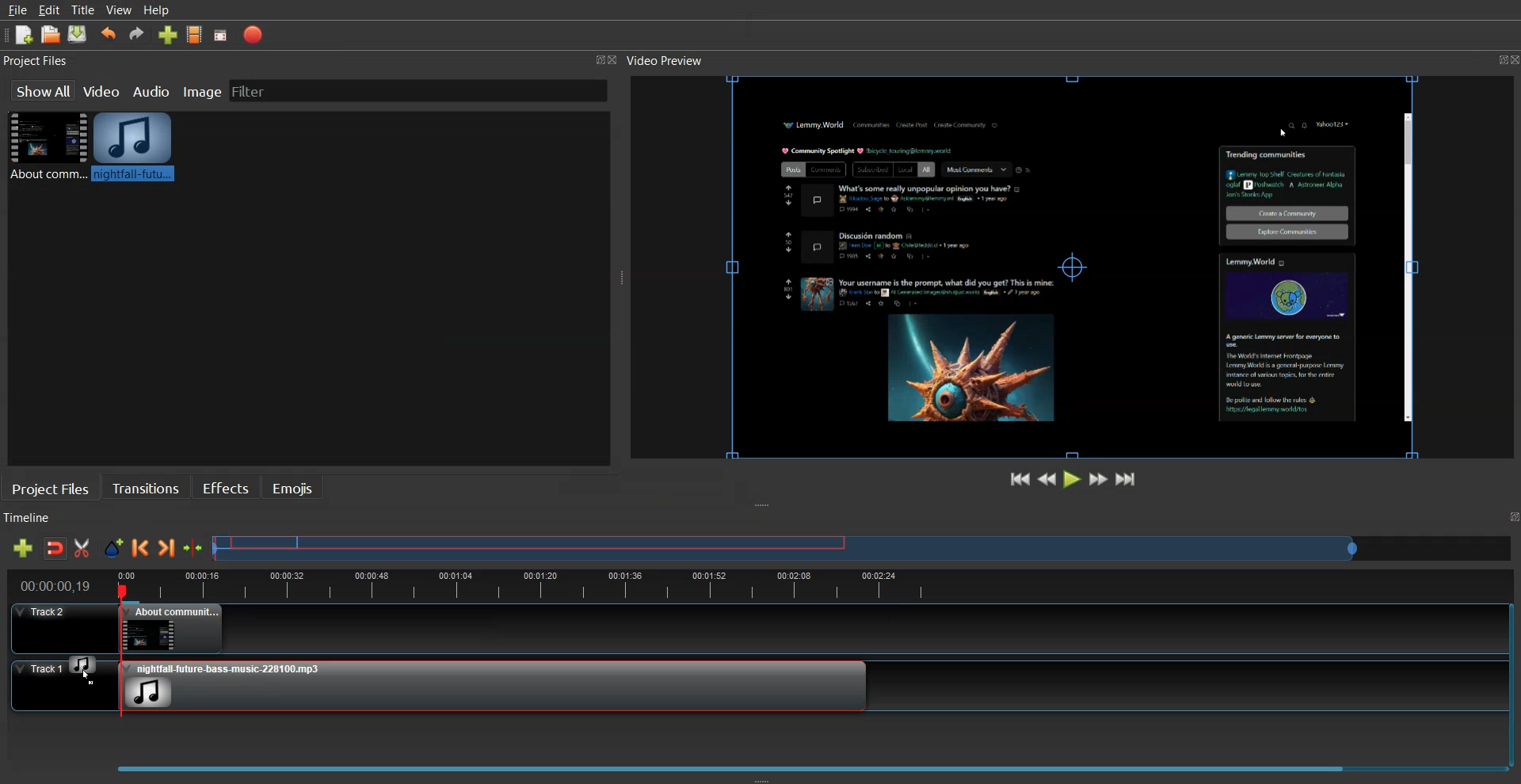 The image size is (1521, 784). I want to click on Disable snaping, so click(55, 548).